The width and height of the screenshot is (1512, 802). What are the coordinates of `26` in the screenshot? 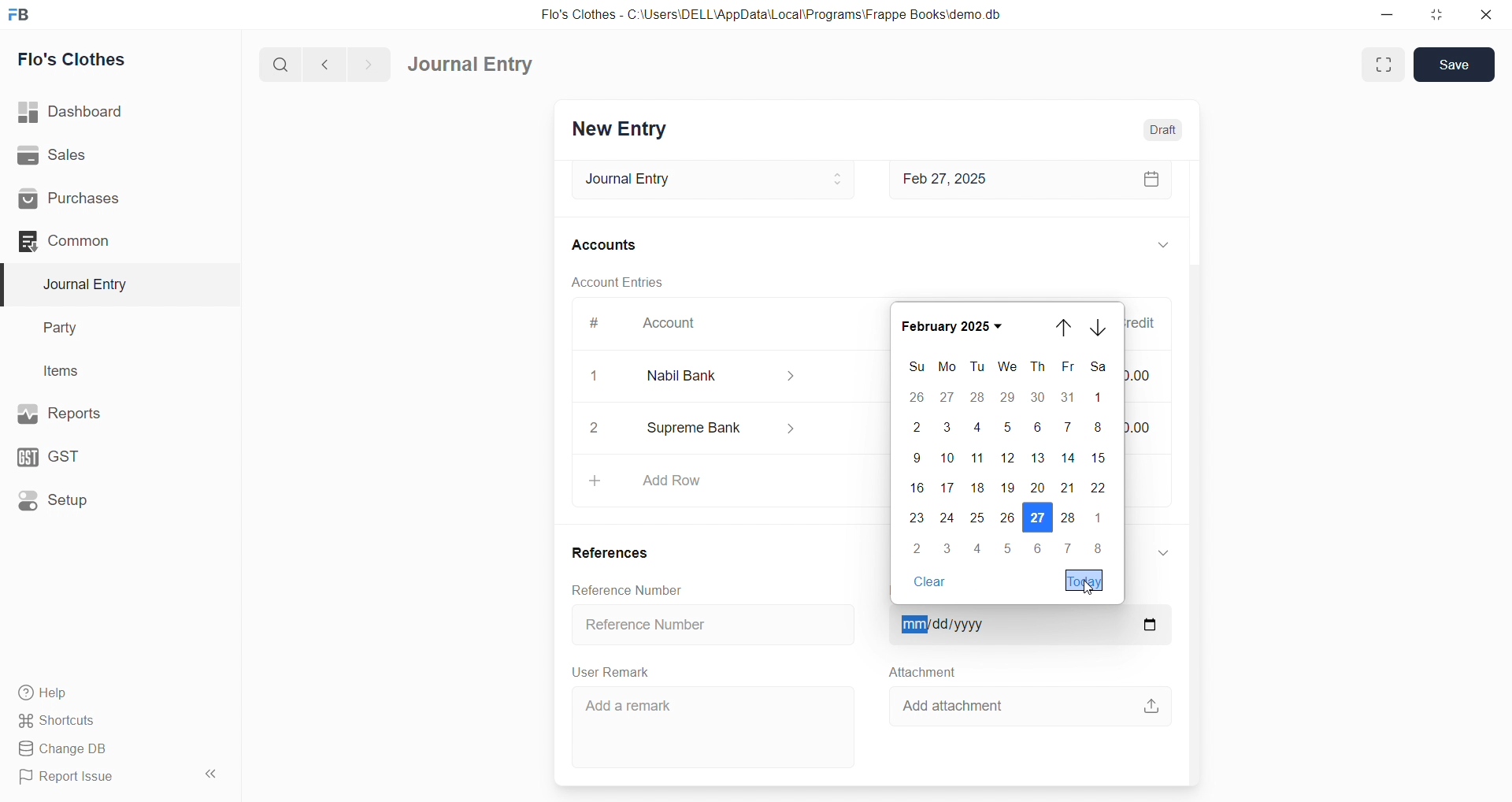 It's located at (915, 397).